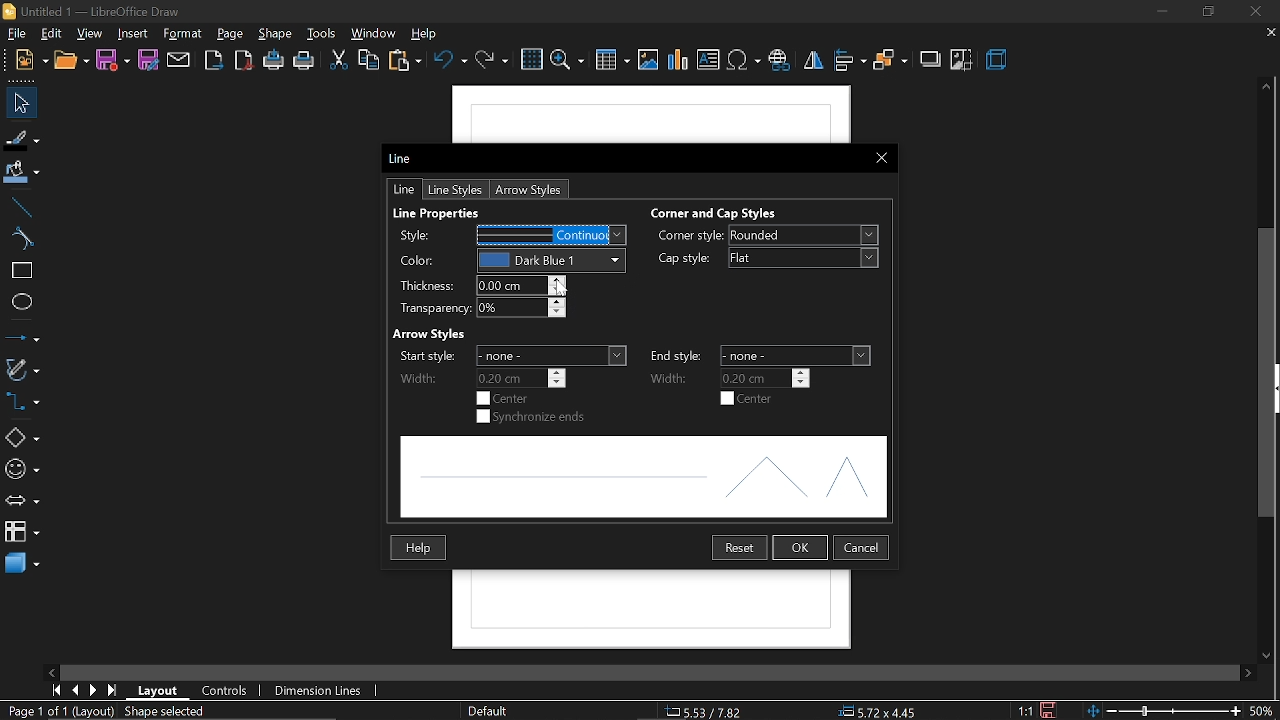 The image size is (1280, 720). What do you see at coordinates (1253, 11) in the screenshot?
I see `close` at bounding box center [1253, 11].